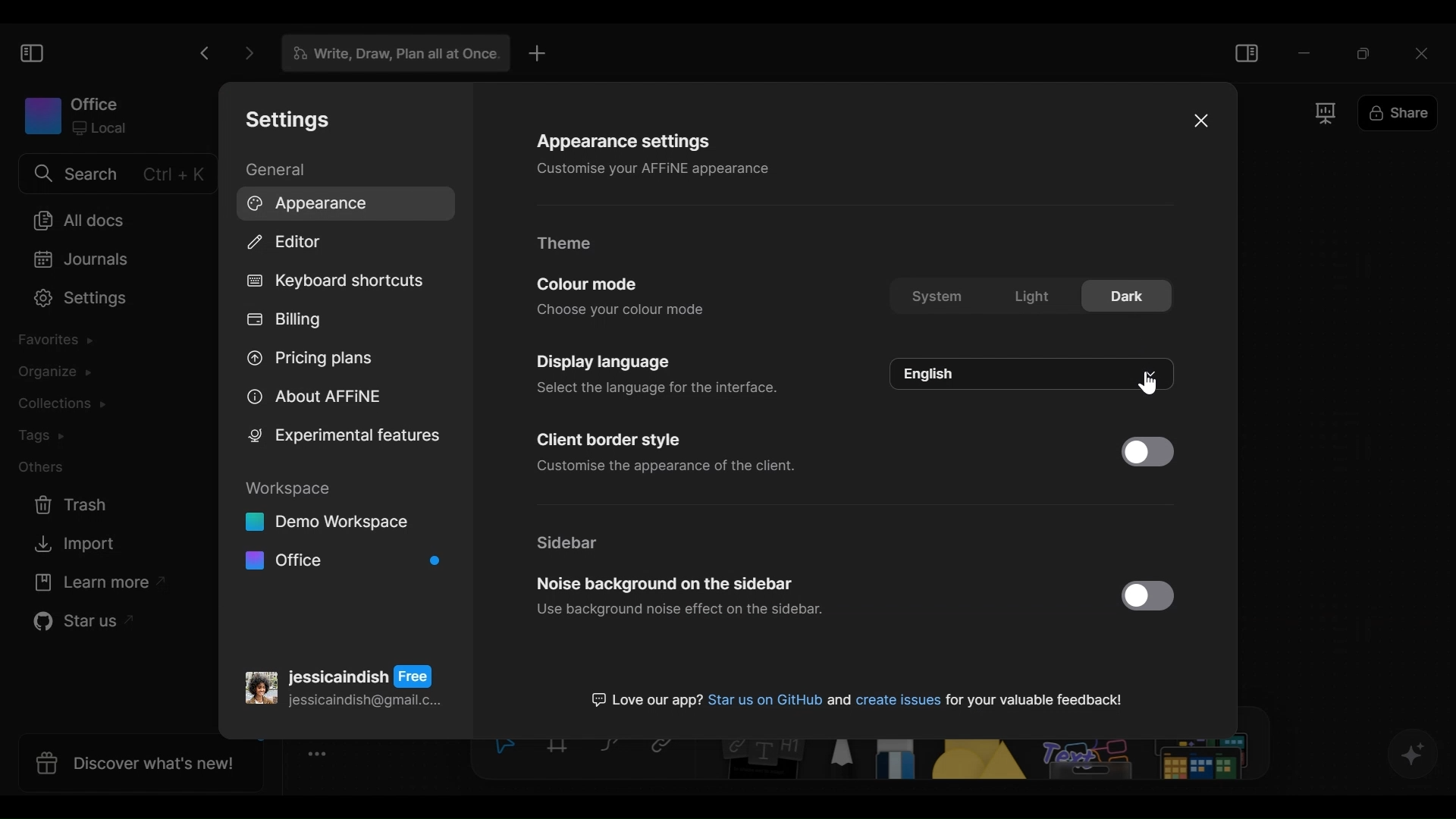 The image size is (1456, 819). I want to click on Keyboard shortcuts, so click(333, 282).